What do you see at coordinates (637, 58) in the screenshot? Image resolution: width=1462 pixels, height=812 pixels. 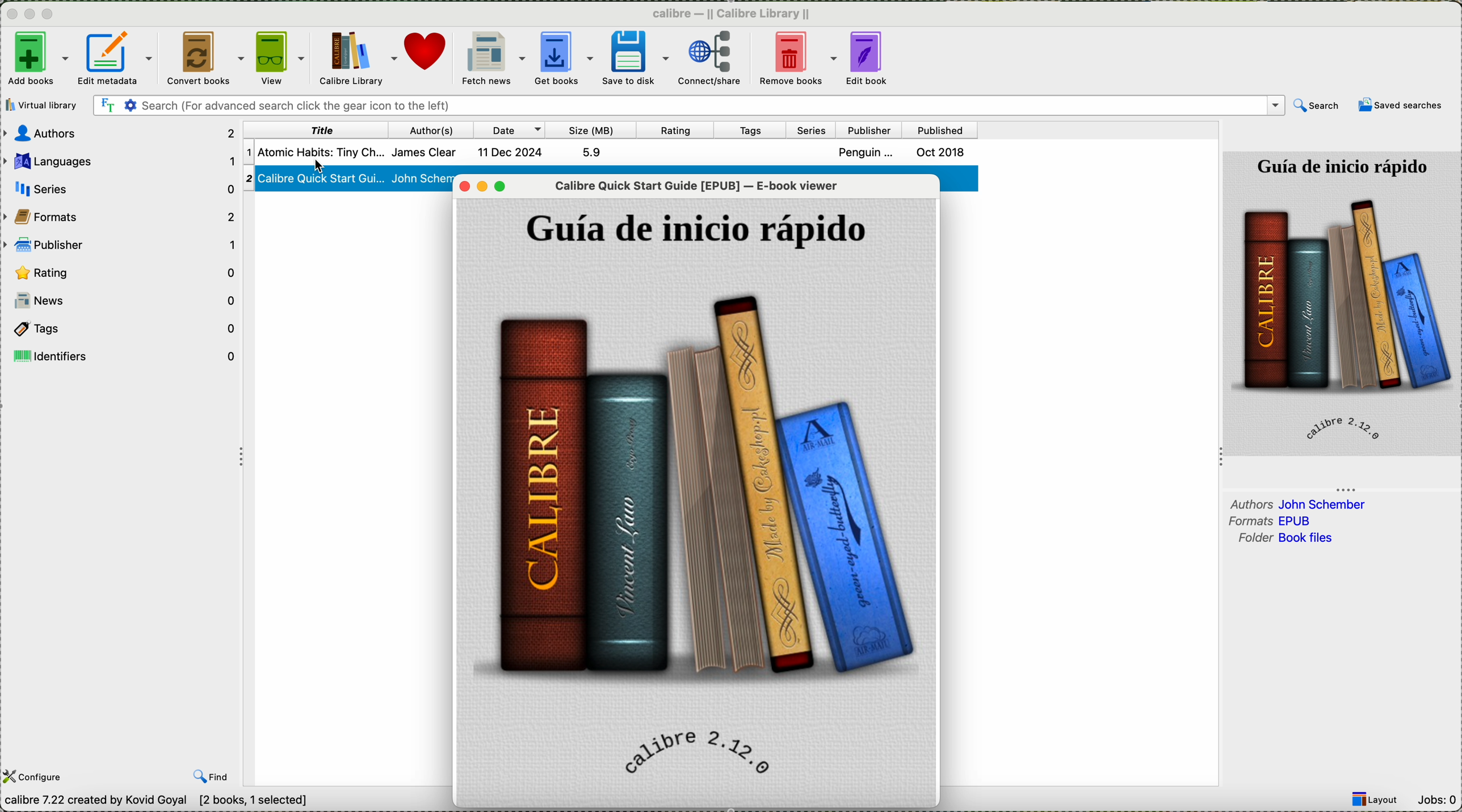 I see `save to disk` at bounding box center [637, 58].